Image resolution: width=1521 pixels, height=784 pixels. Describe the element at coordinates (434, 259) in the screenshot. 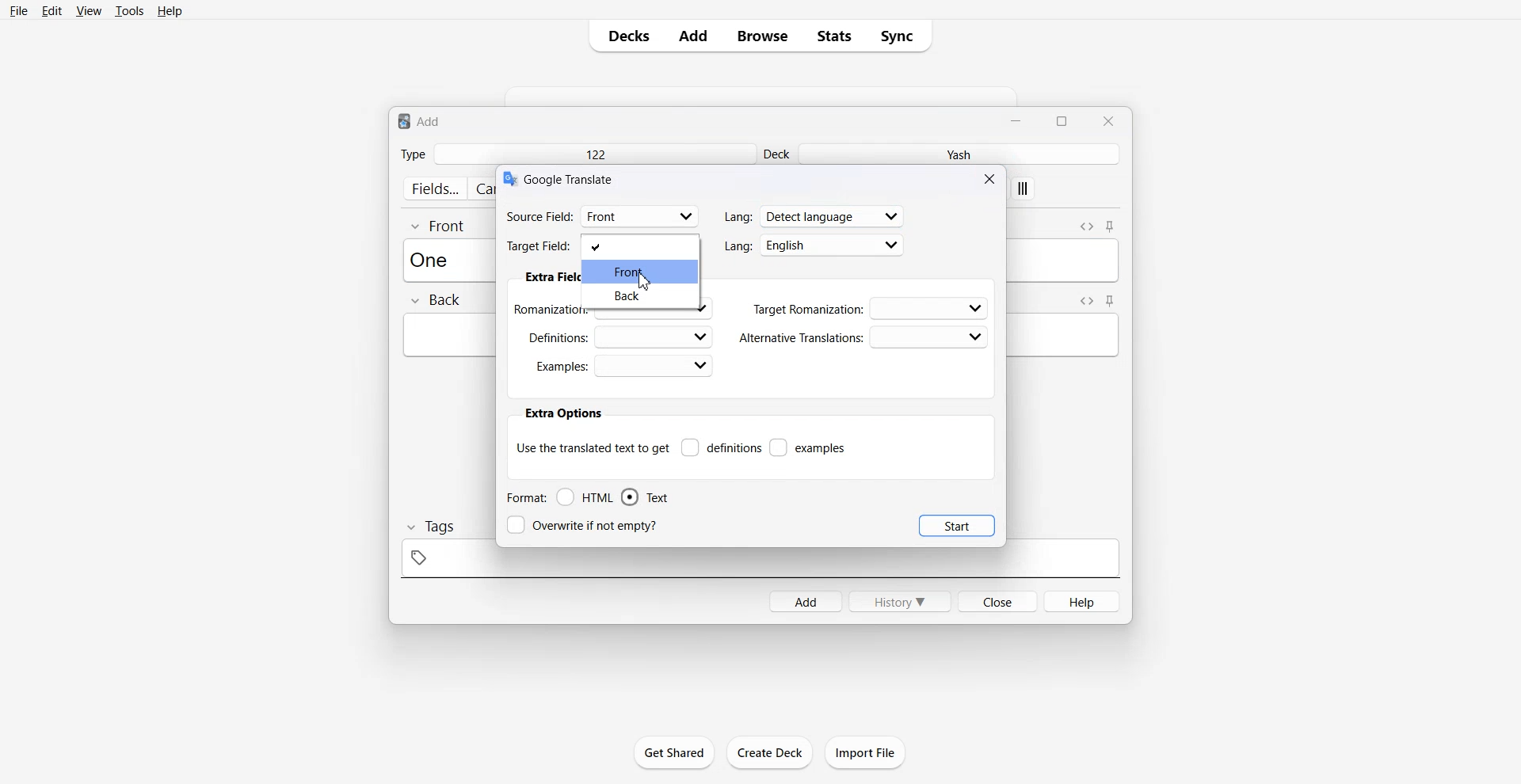

I see `Text` at that location.